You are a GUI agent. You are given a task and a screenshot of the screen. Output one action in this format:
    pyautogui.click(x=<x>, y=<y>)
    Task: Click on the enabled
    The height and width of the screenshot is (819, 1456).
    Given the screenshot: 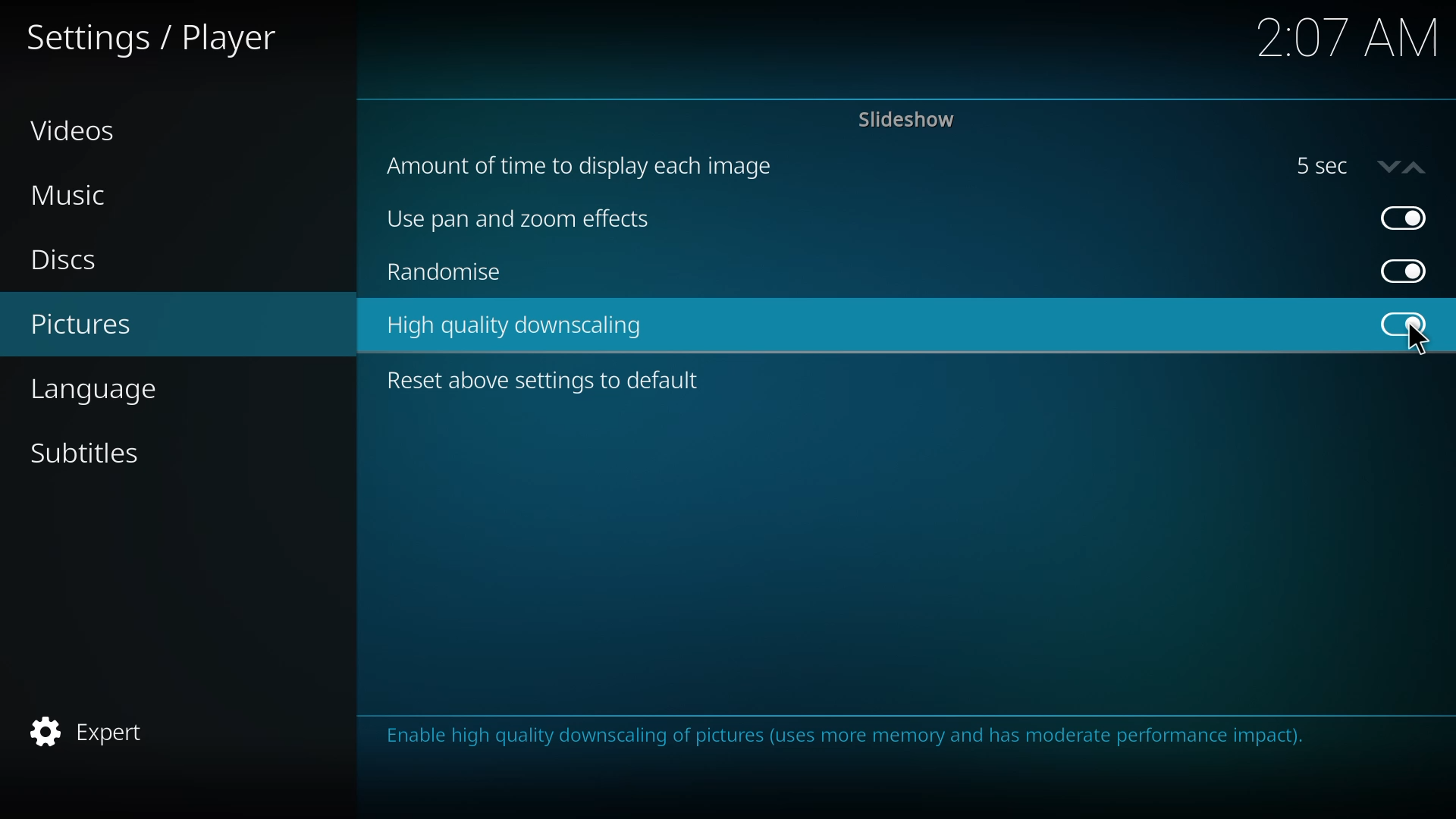 What is the action you would take?
    pyautogui.click(x=1404, y=217)
    